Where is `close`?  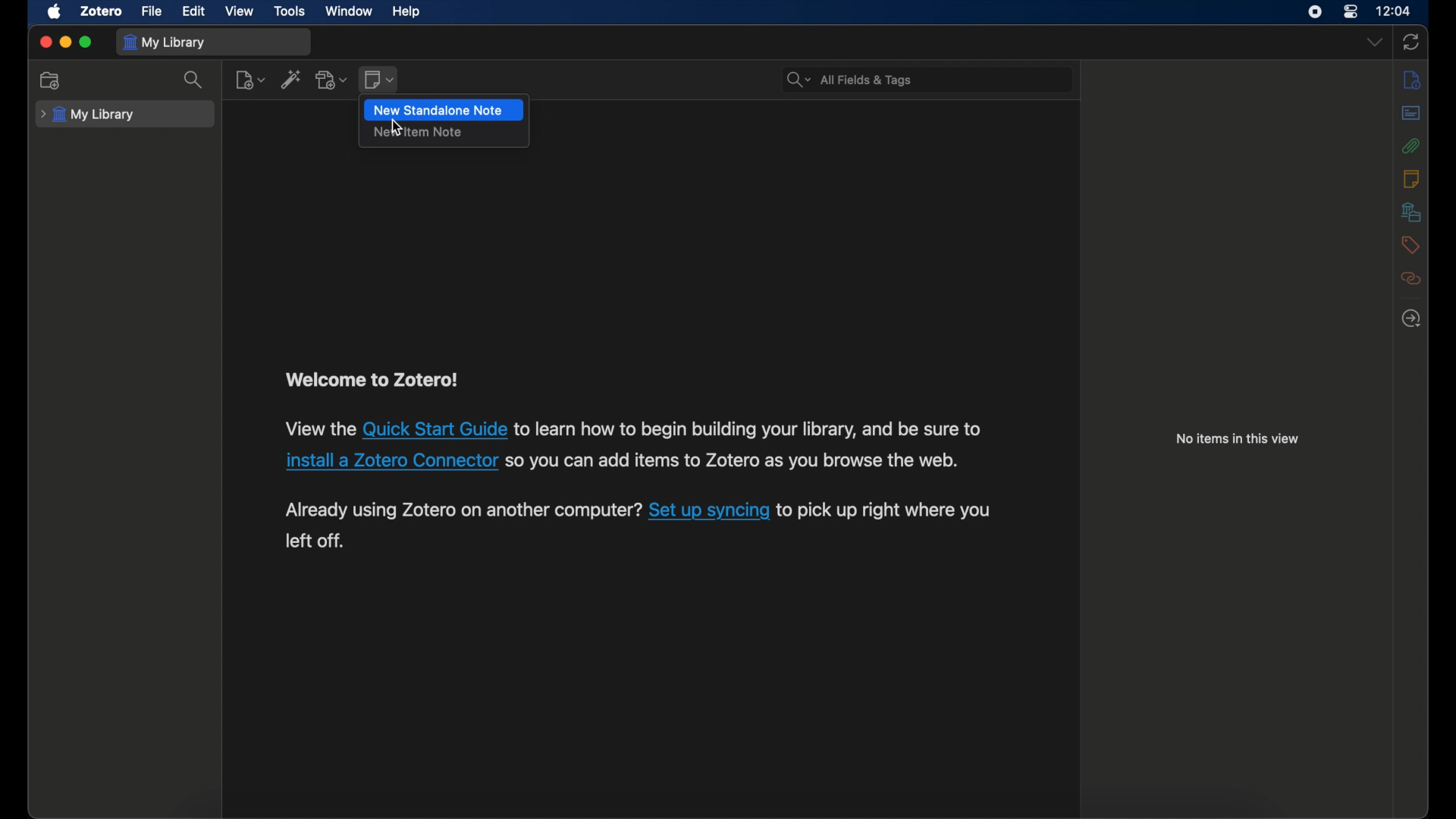 close is located at coordinates (45, 42).